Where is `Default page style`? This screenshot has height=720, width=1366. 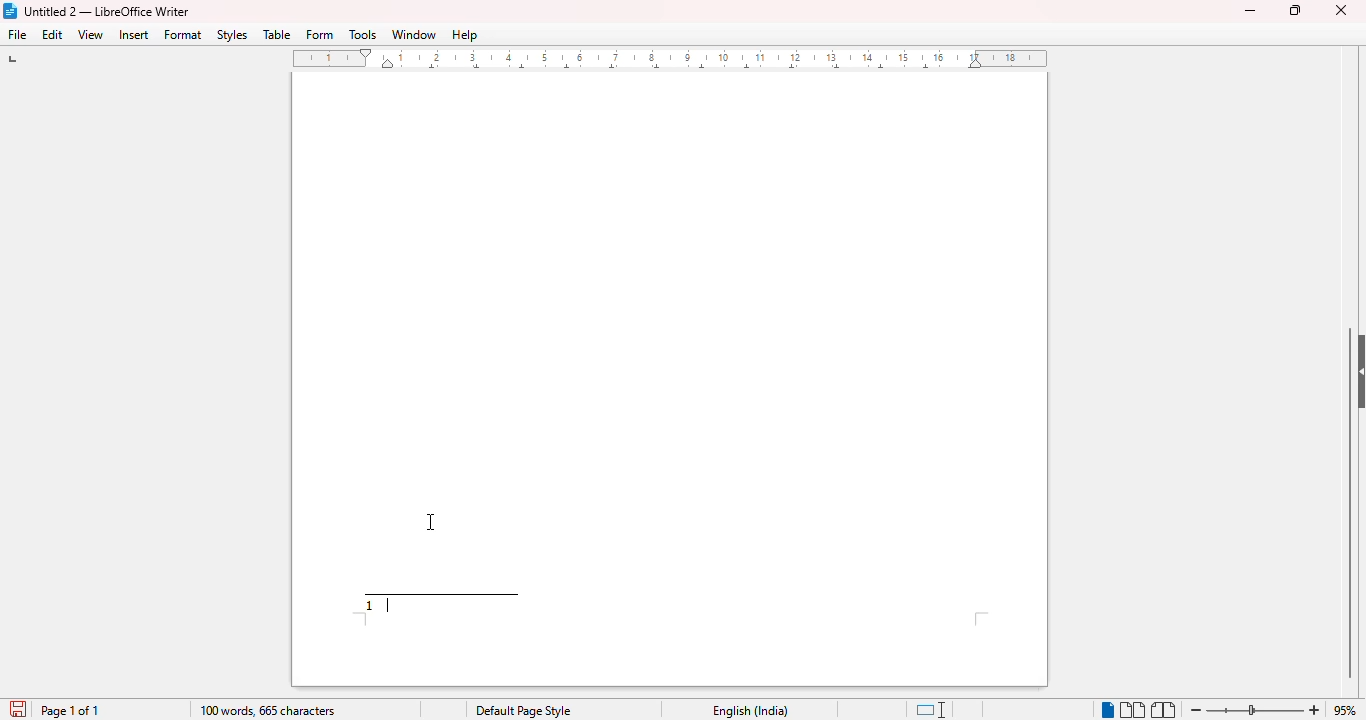
Default page style is located at coordinates (522, 711).